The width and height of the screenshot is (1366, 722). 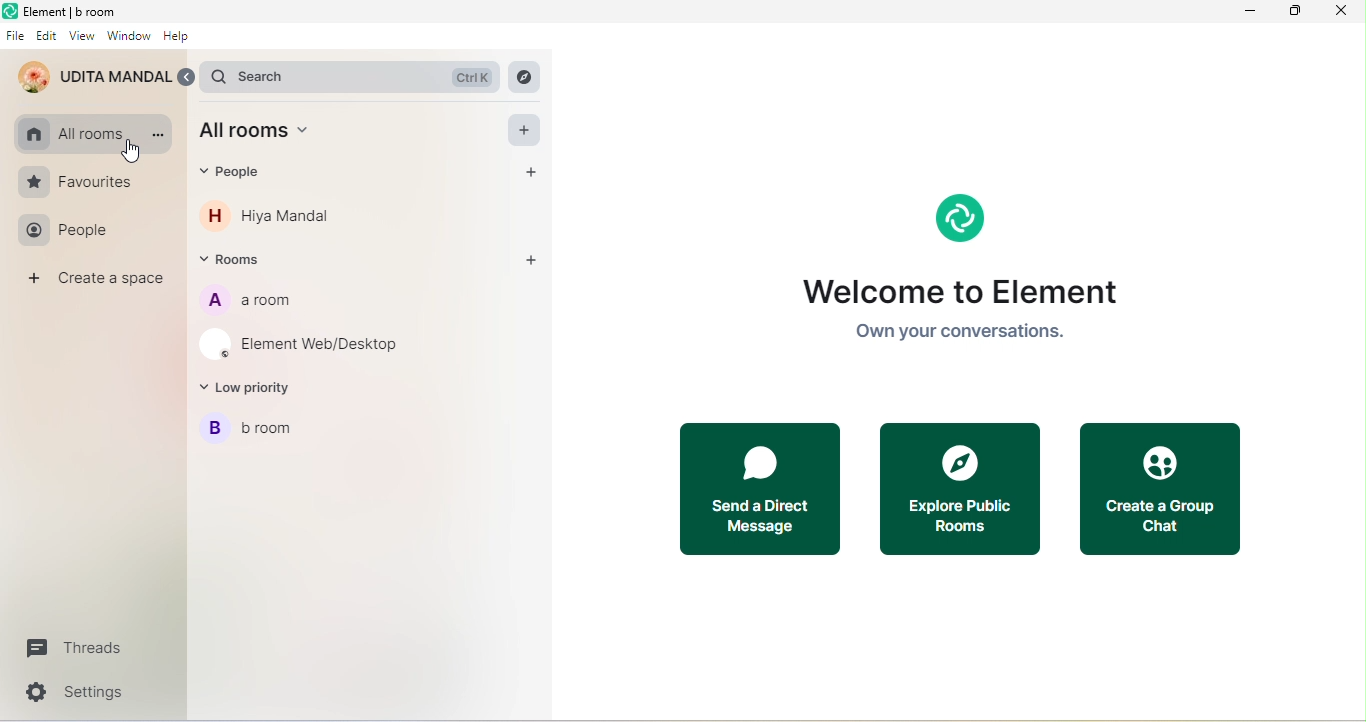 What do you see at coordinates (356, 77) in the screenshot?
I see `search` at bounding box center [356, 77].